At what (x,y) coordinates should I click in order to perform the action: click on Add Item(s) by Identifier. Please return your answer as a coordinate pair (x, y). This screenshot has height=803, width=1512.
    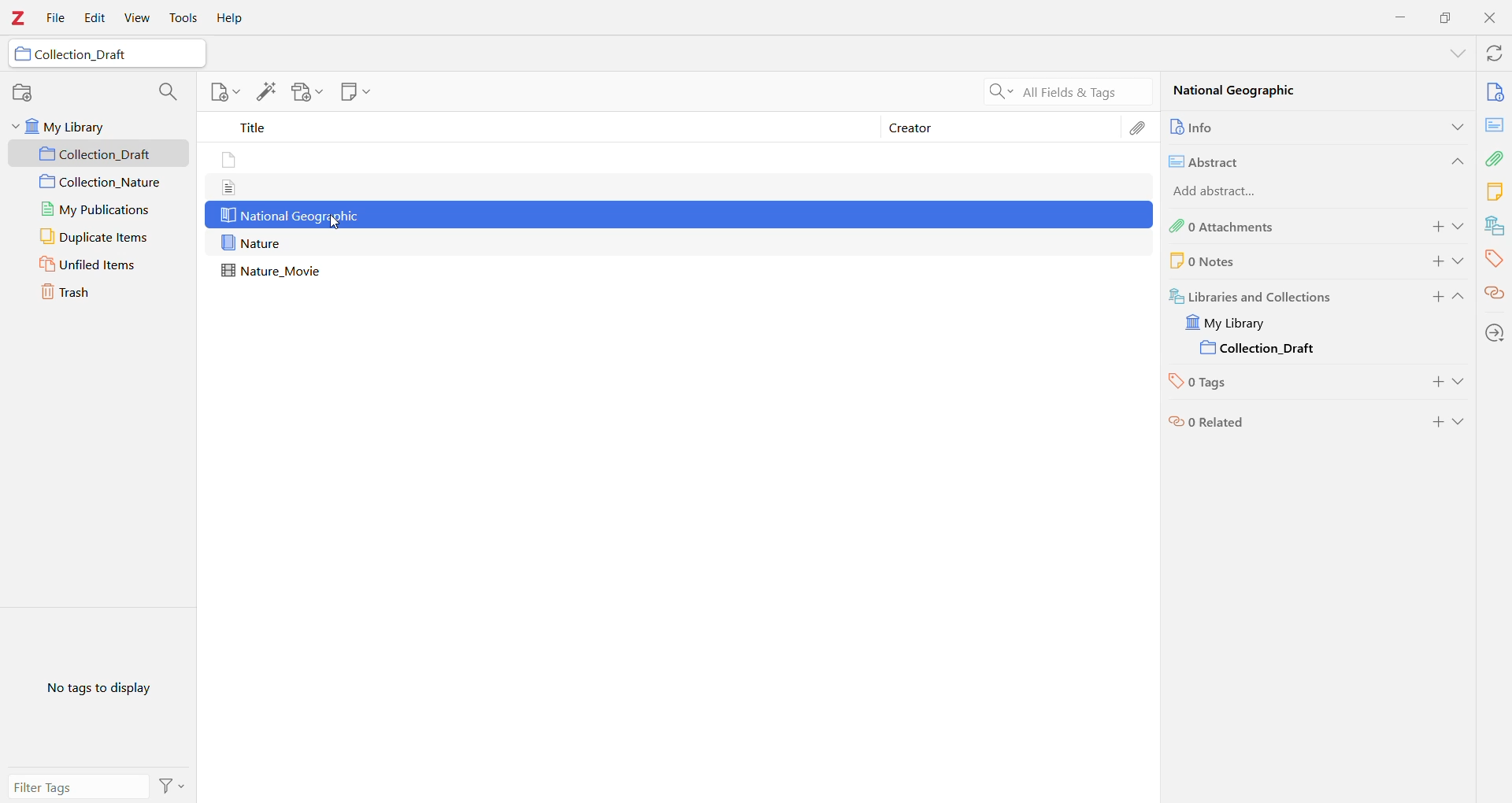
    Looking at the image, I should click on (269, 92).